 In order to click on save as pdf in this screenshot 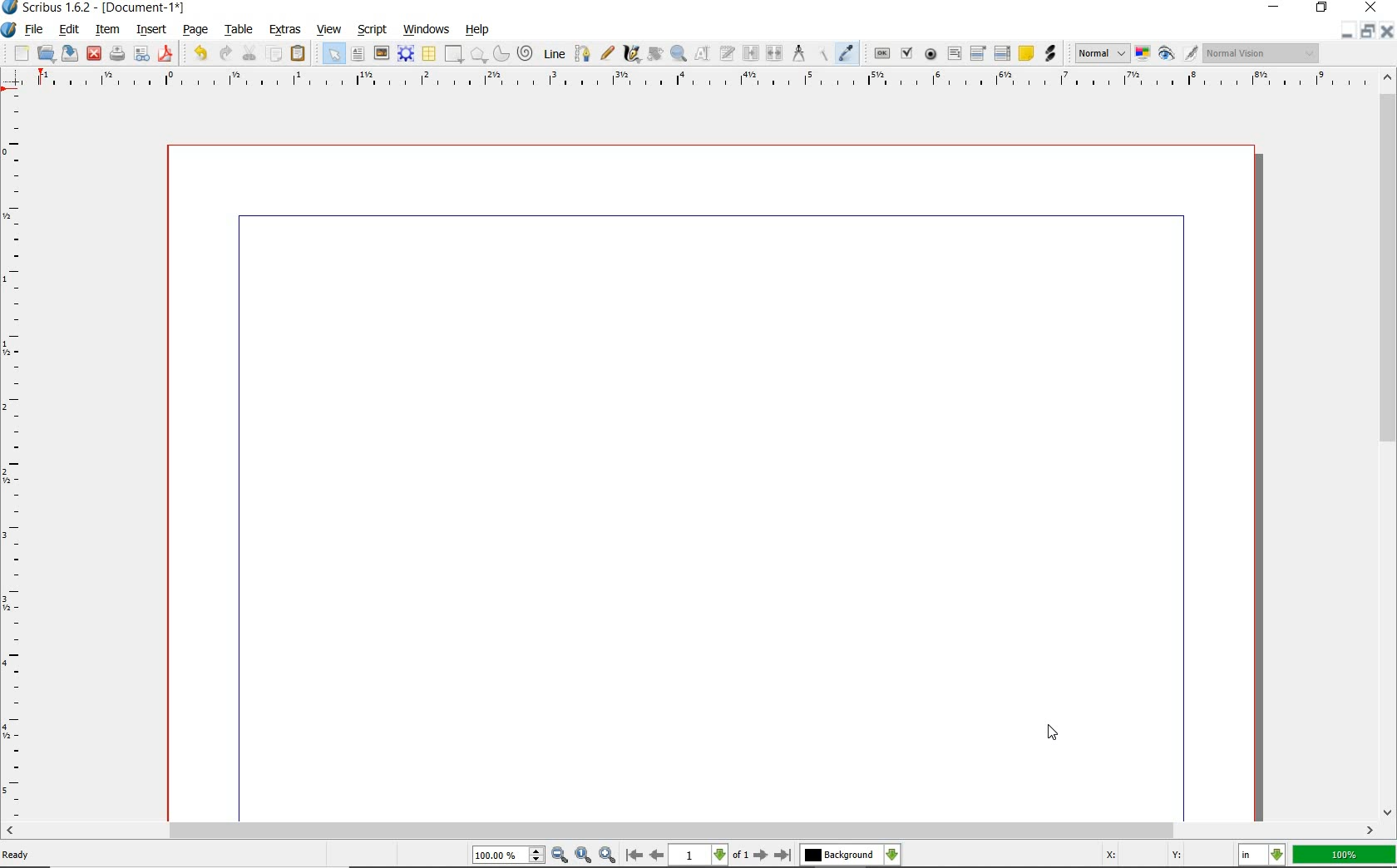, I will do `click(167, 55)`.